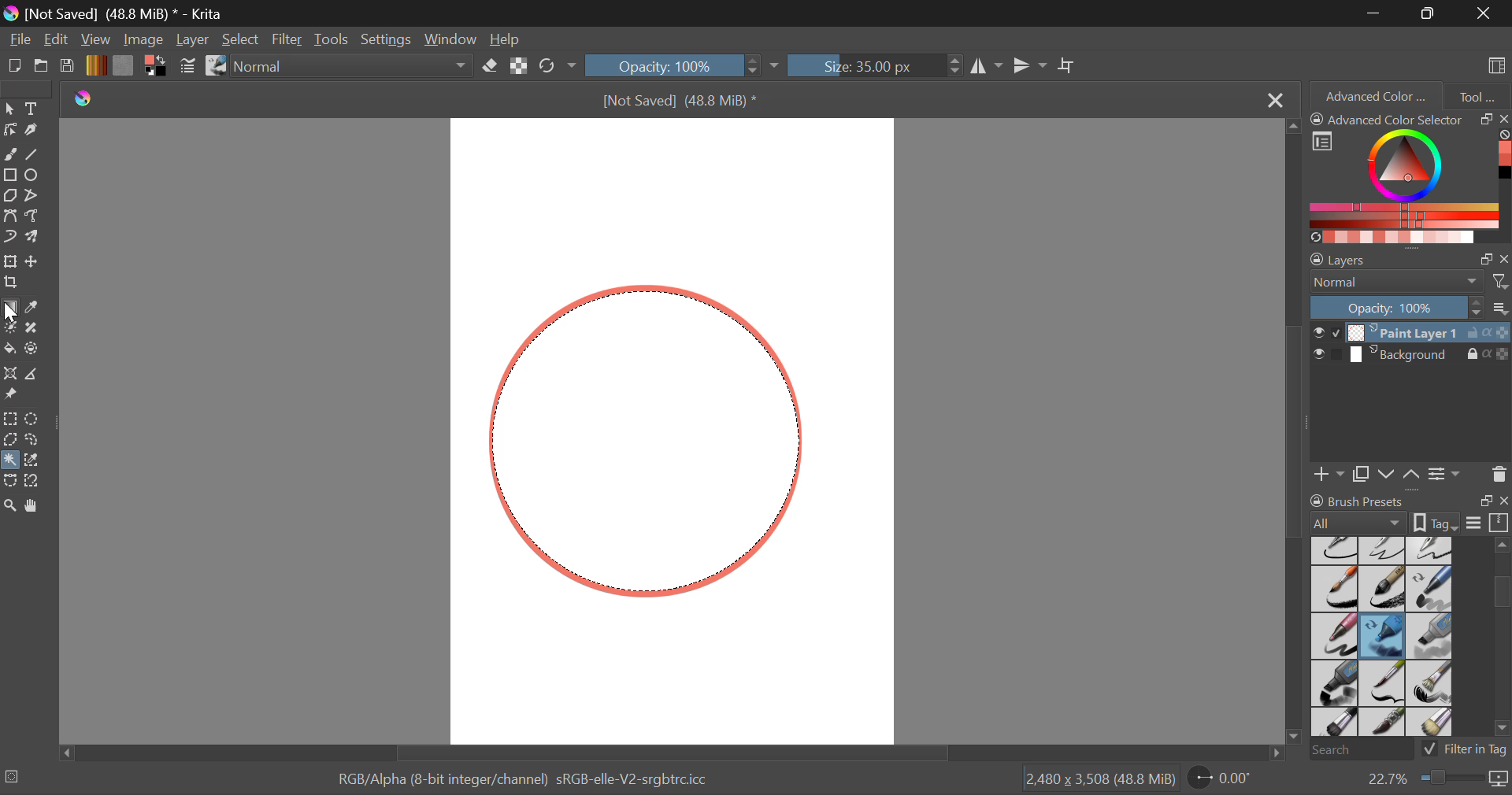 The height and width of the screenshot is (795, 1512). What do you see at coordinates (1228, 778) in the screenshot?
I see `Sheet Rotation` at bounding box center [1228, 778].